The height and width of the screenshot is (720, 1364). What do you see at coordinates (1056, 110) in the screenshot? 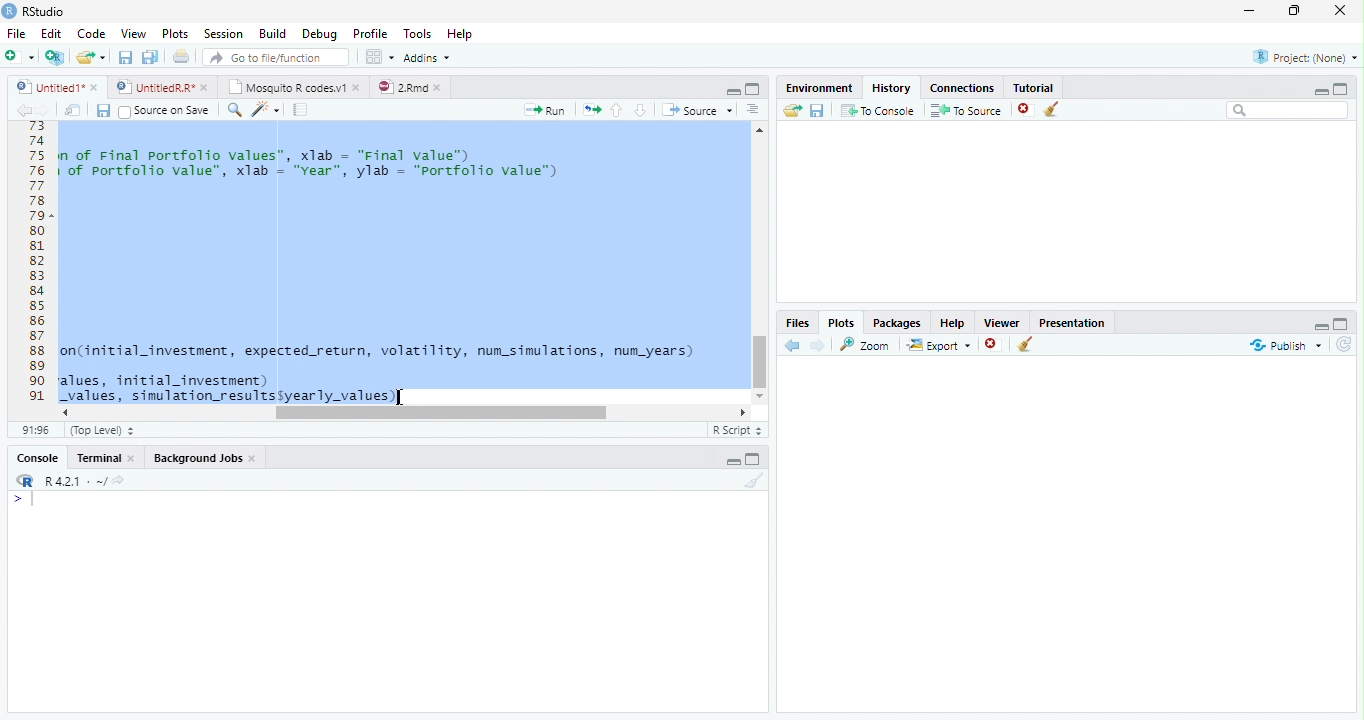
I see `Clear` at bounding box center [1056, 110].